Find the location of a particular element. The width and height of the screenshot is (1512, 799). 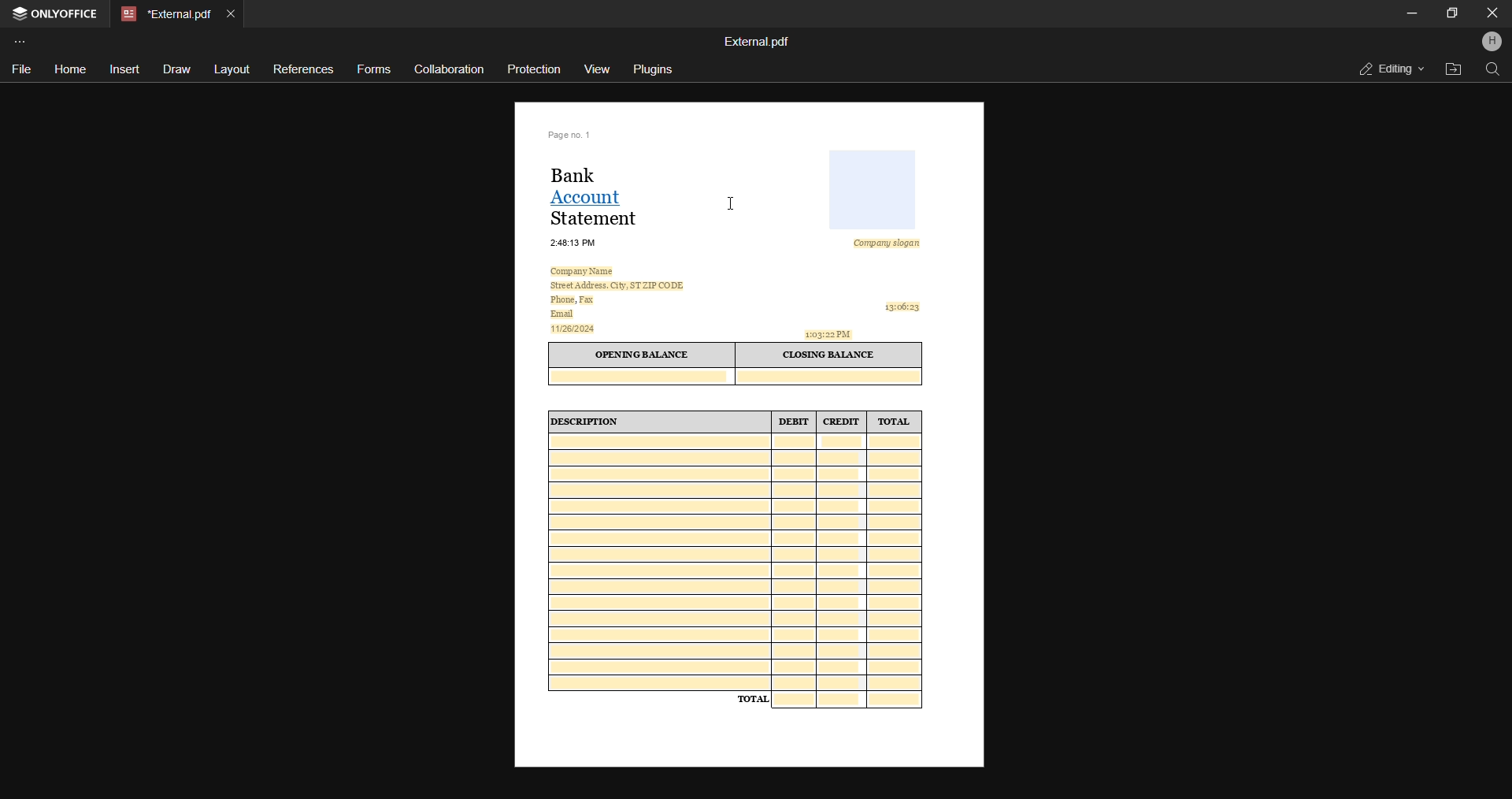

Page no. 1 is located at coordinates (572, 133).